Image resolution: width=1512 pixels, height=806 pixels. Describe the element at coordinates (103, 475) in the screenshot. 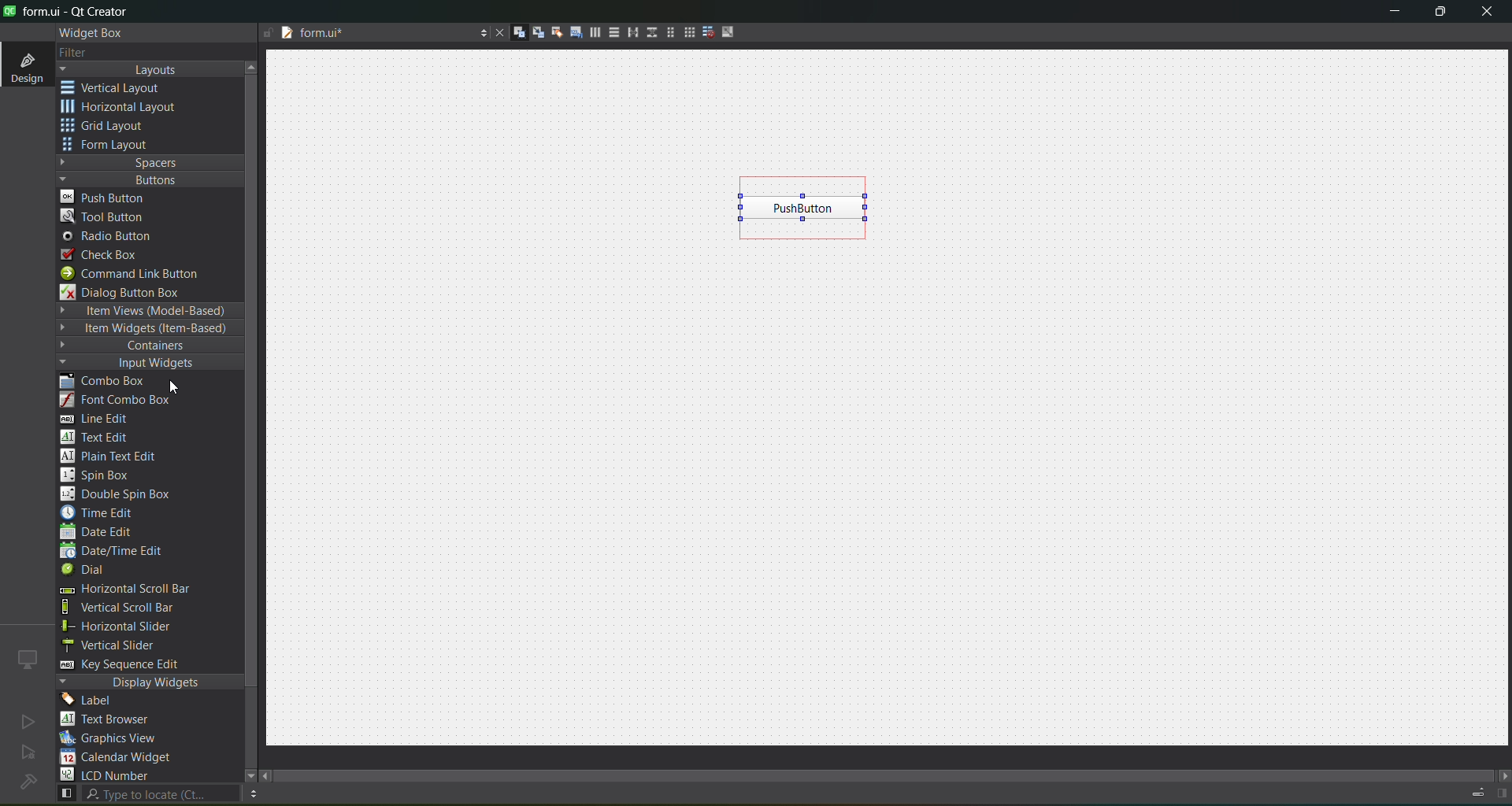

I see `spin box` at that location.